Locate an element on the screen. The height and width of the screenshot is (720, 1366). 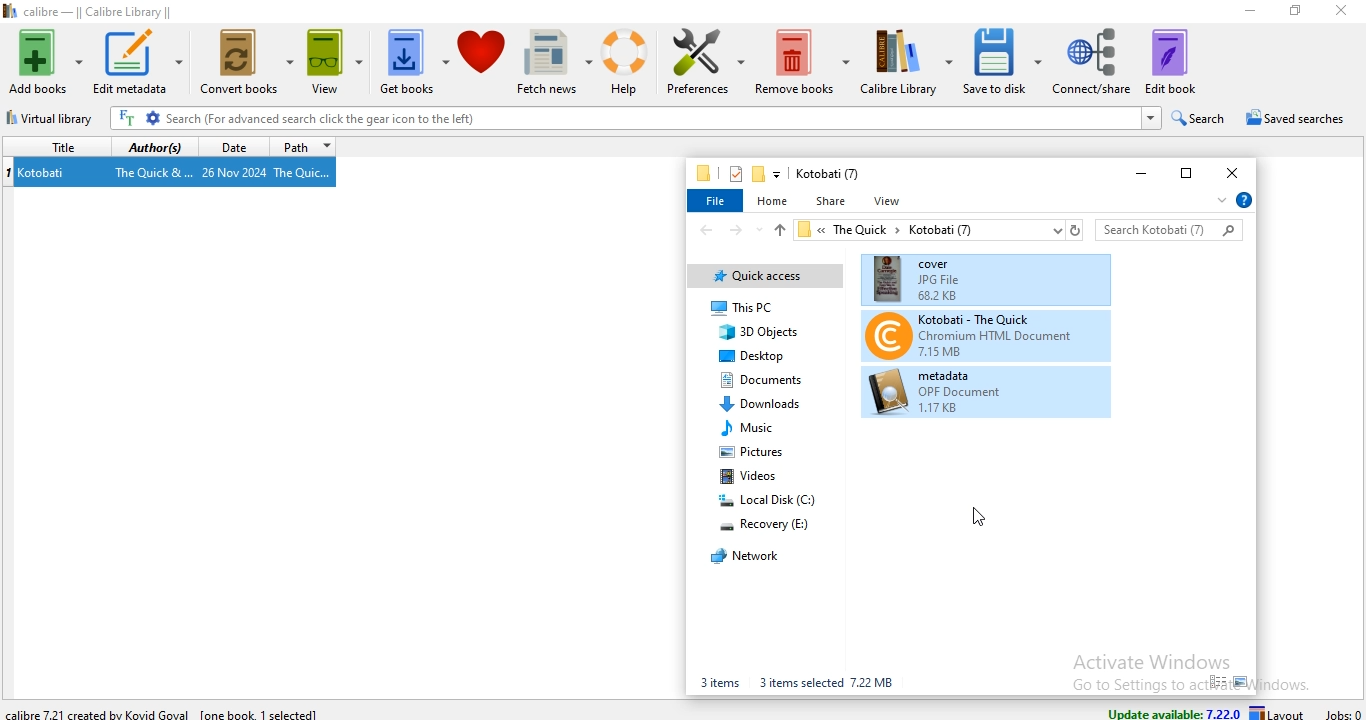
properties is located at coordinates (734, 173).